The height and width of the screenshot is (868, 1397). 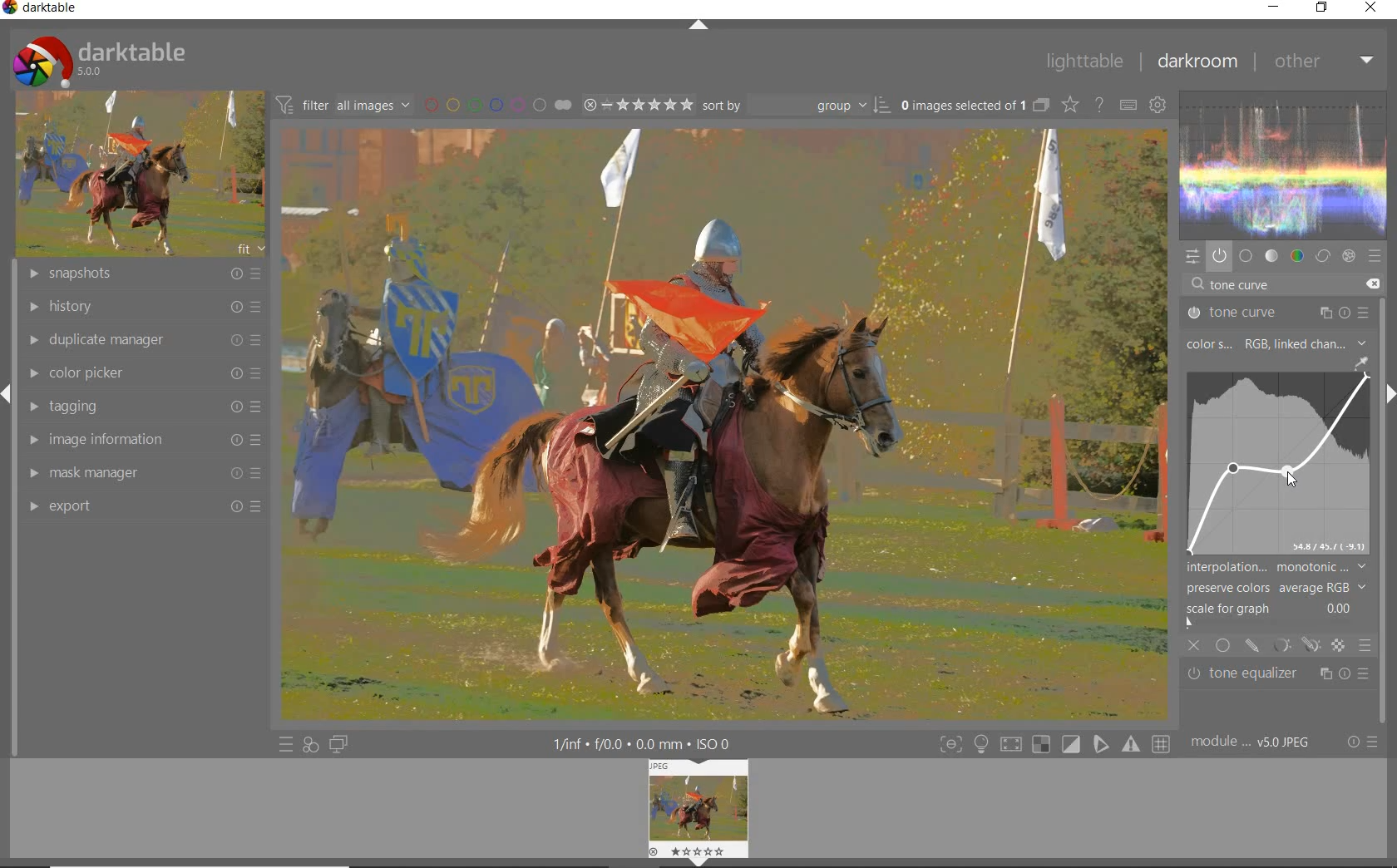 What do you see at coordinates (1294, 645) in the screenshot?
I see `mask options` at bounding box center [1294, 645].